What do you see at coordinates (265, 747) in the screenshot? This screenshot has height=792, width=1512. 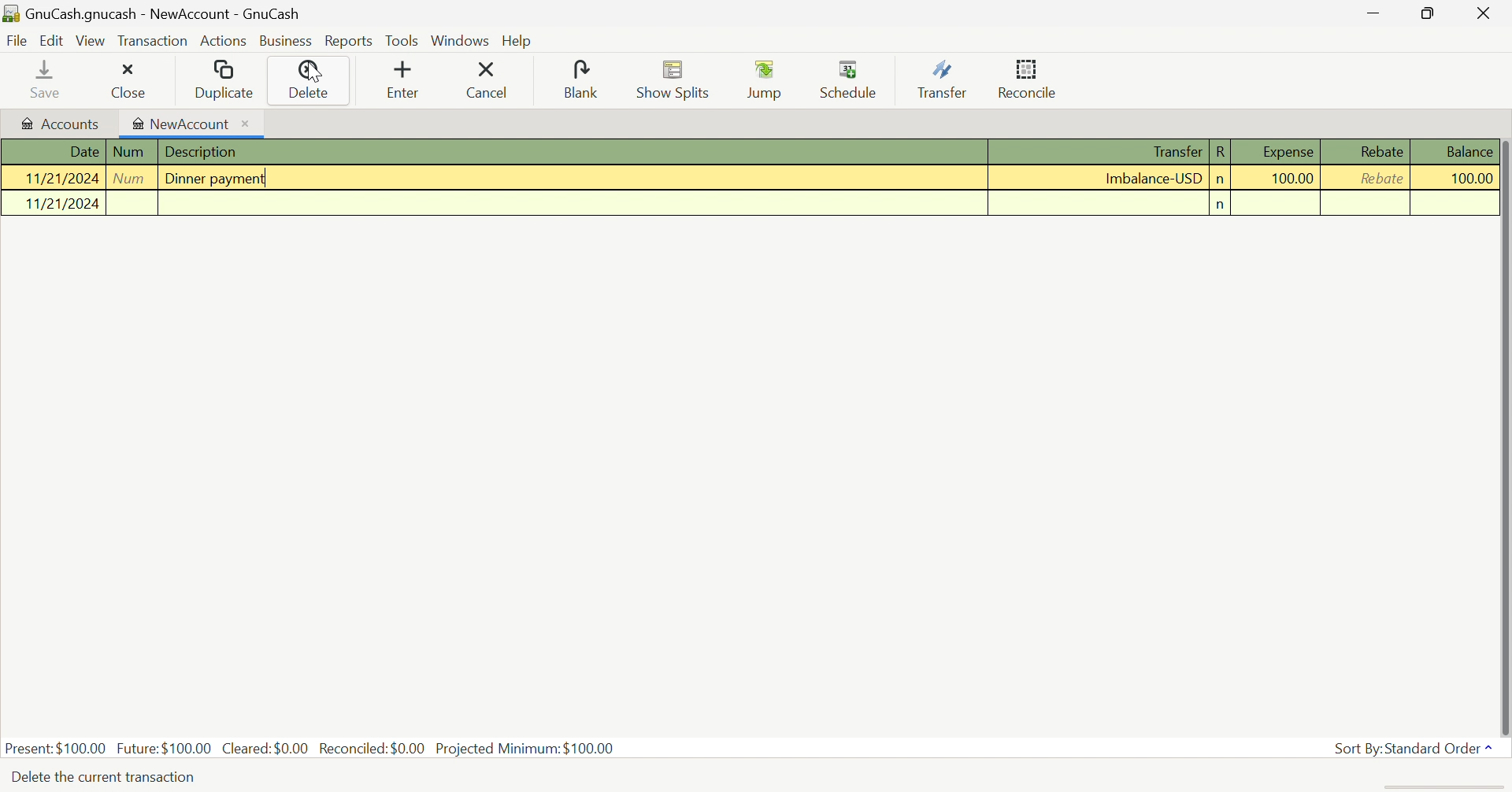 I see `Cleared: $0.00` at bounding box center [265, 747].